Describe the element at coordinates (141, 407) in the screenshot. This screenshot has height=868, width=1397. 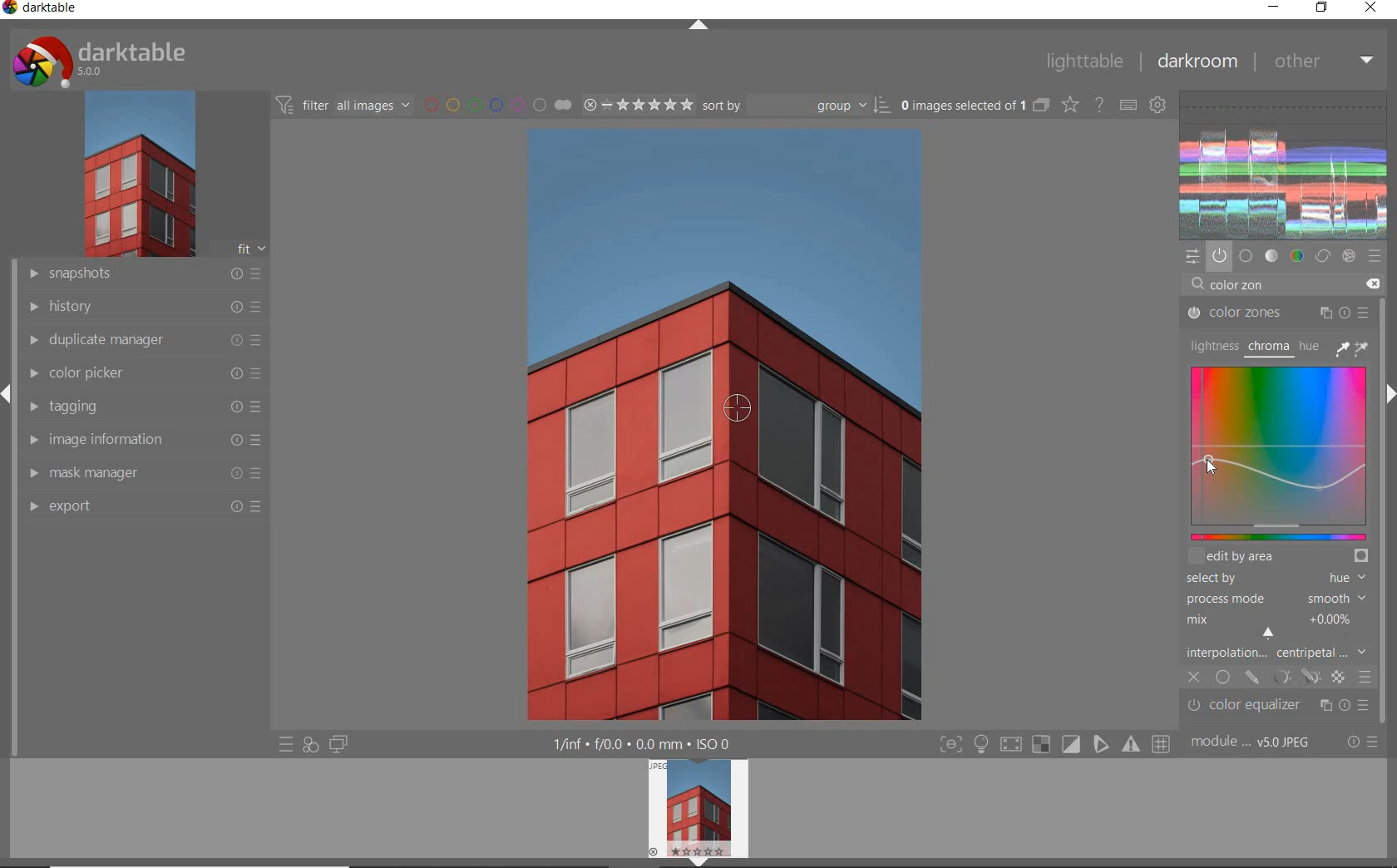
I see `tagging` at that location.